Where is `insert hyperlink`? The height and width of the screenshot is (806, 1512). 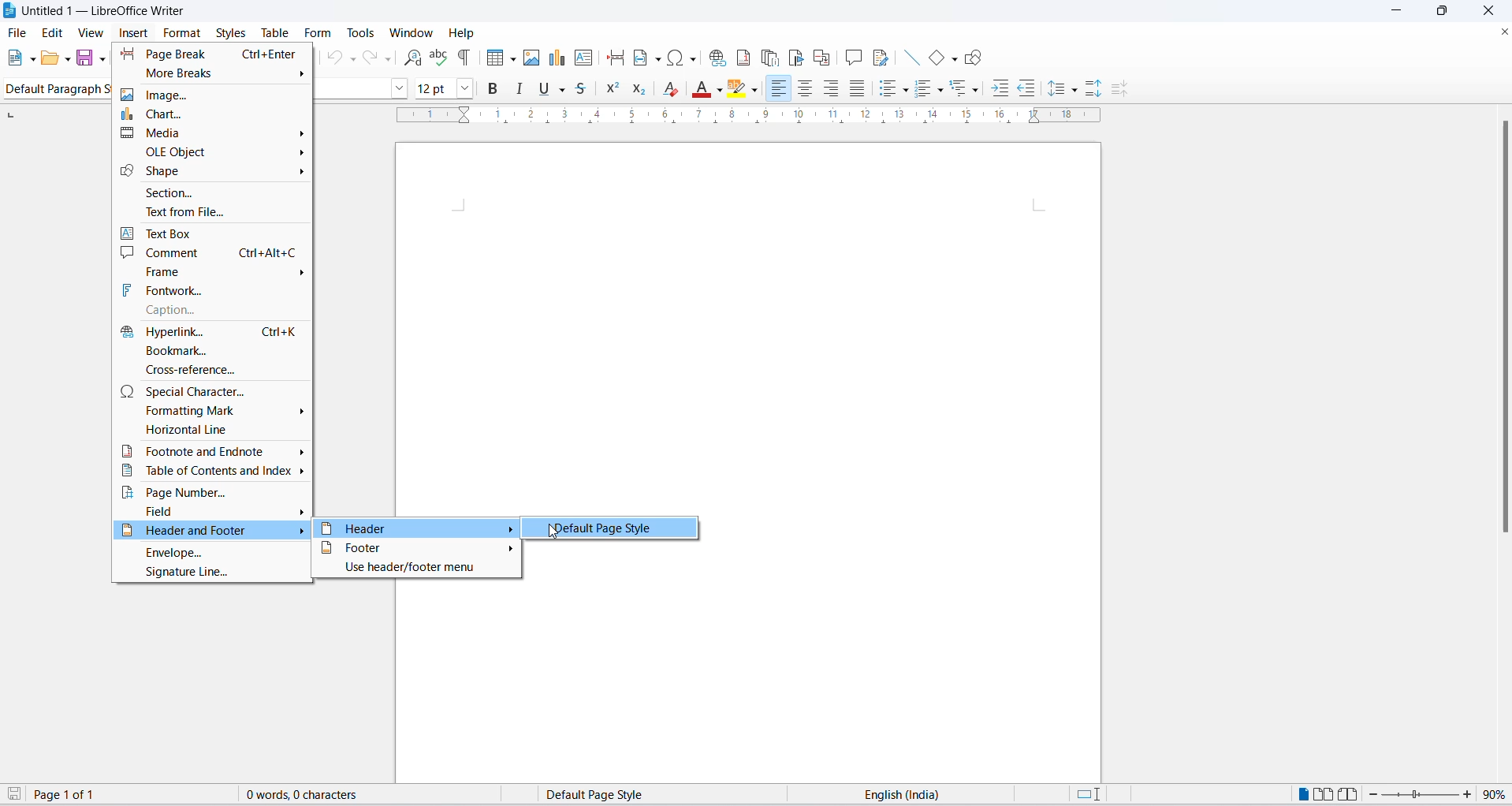
insert hyperlink is located at coordinates (716, 59).